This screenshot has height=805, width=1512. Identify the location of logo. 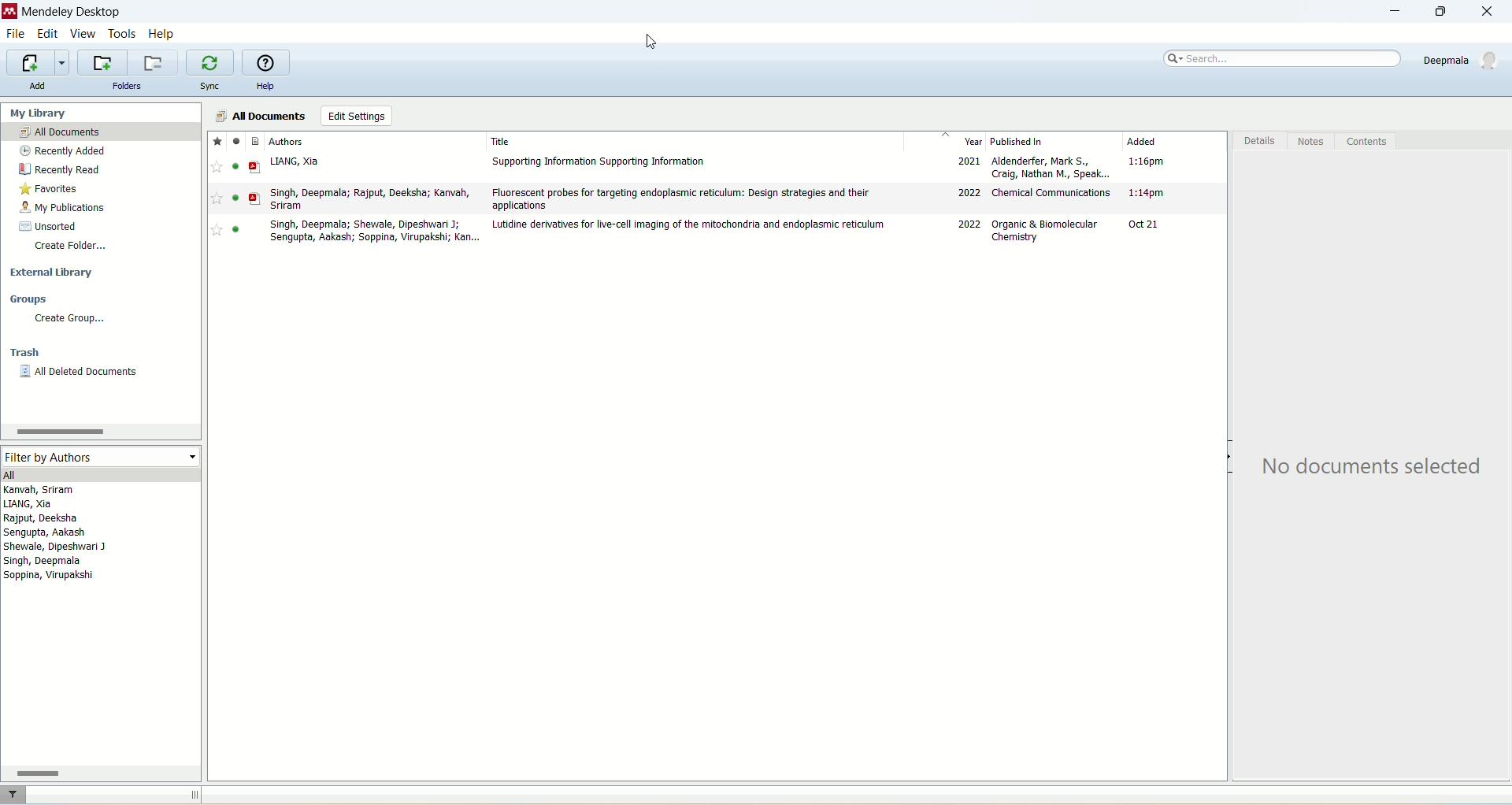
(9, 12).